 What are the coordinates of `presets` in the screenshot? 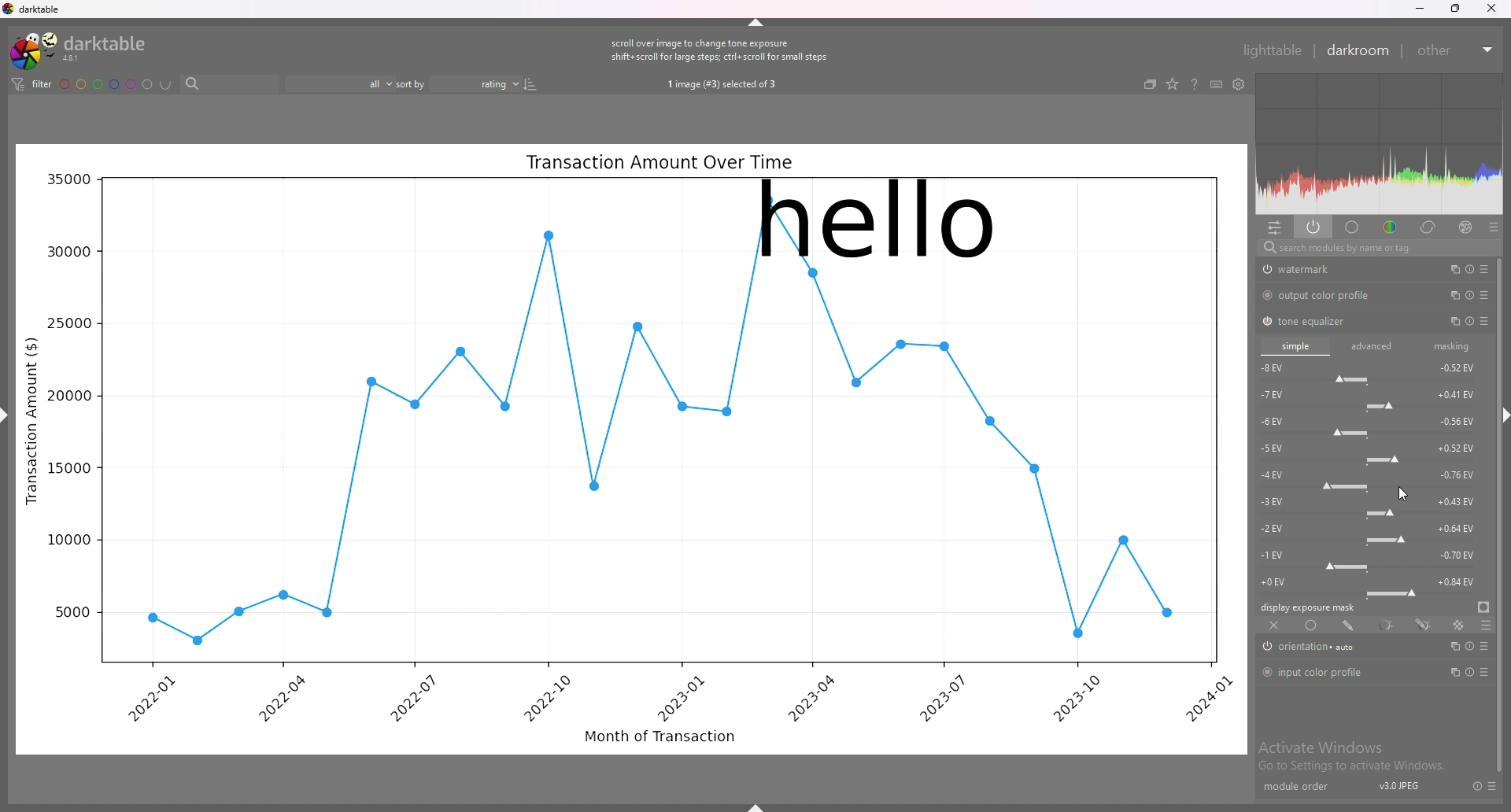 It's located at (1493, 227).